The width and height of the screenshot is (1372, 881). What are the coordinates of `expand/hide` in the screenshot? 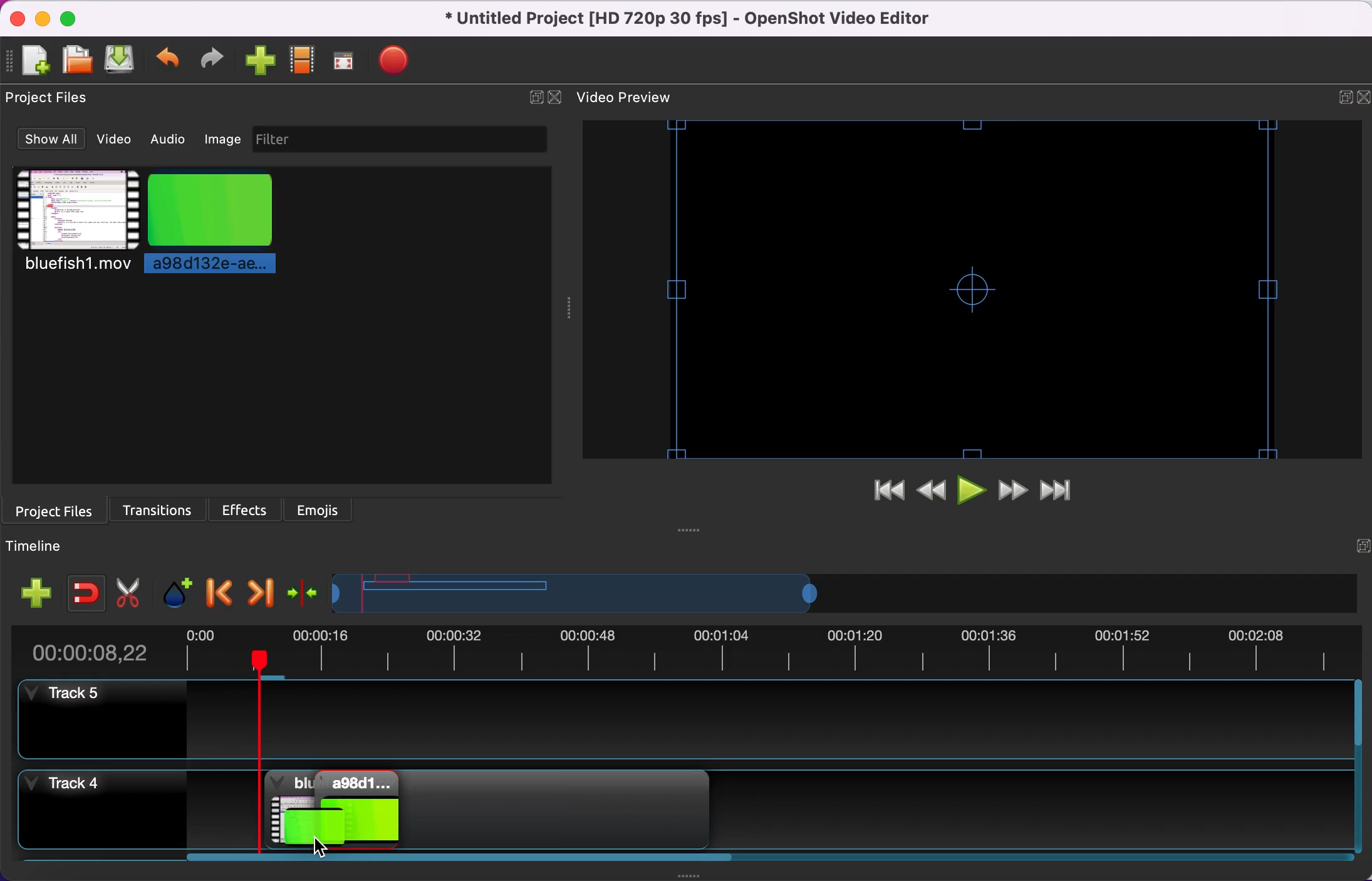 It's located at (533, 98).